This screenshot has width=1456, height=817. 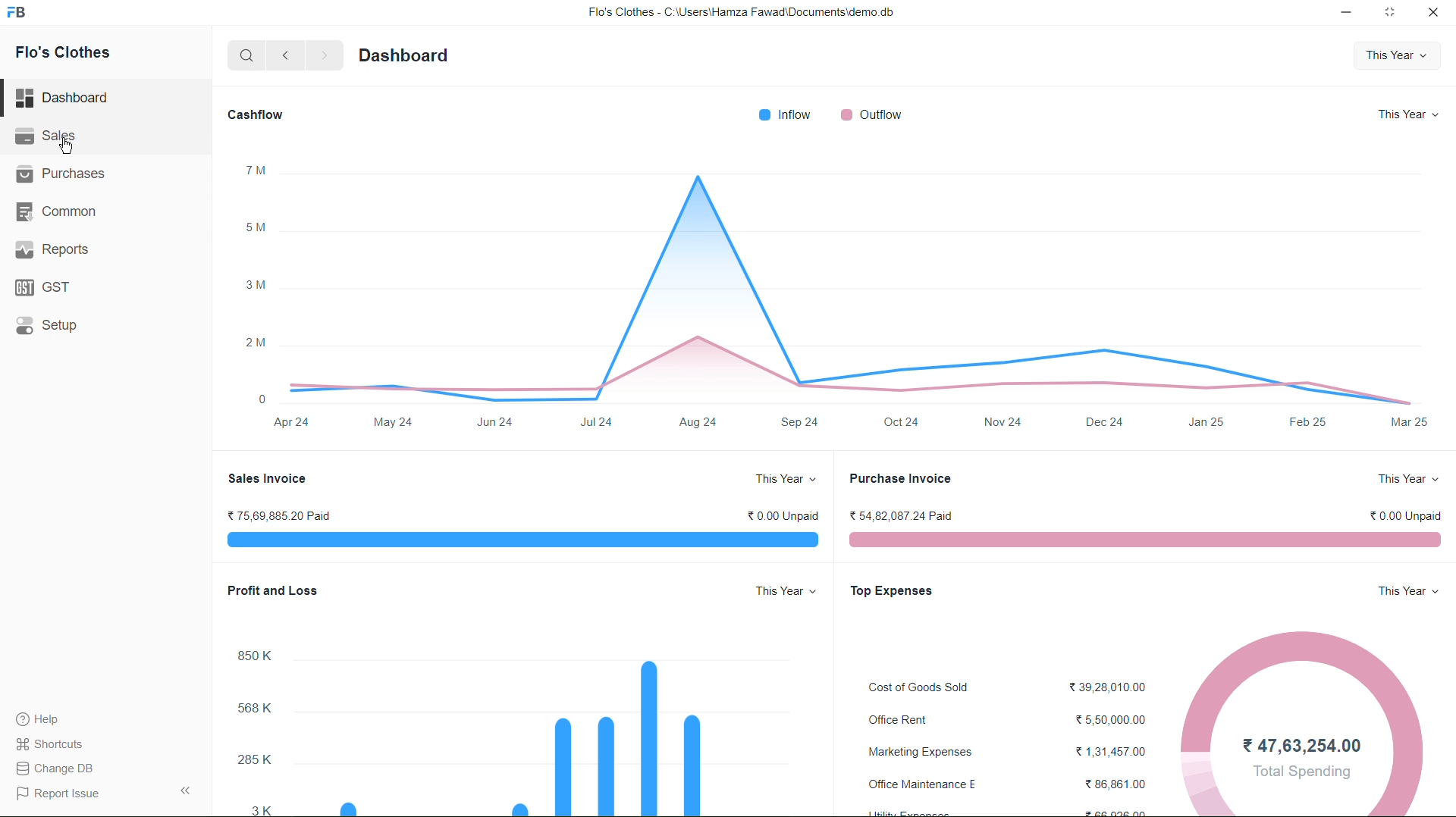 What do you see at coordinates (902, 478) in the screenshot?
I see `Purchase Invoice` at bounding box center [902, 478].